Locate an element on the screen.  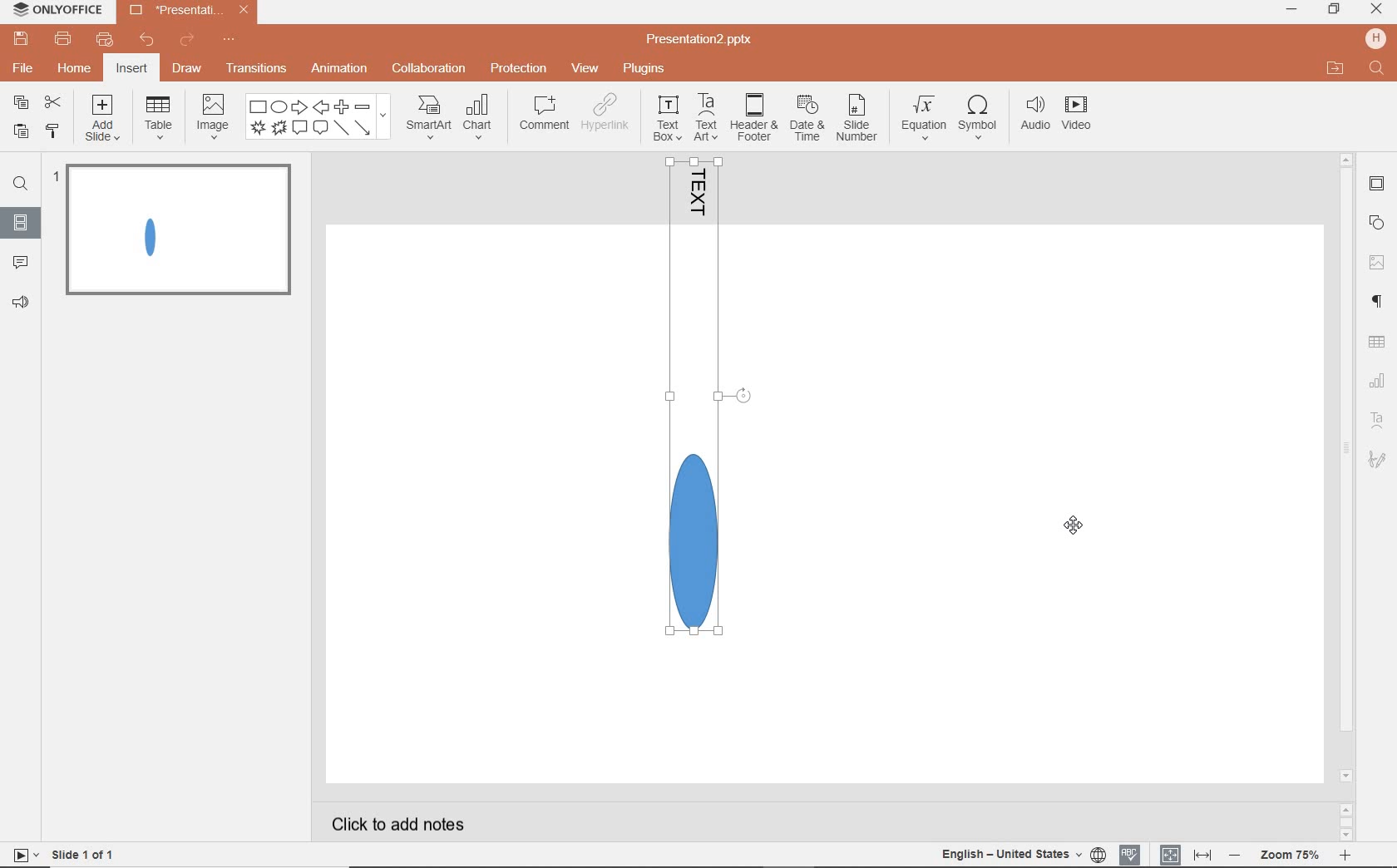
customize quick print is located at coordinates (102, 40).